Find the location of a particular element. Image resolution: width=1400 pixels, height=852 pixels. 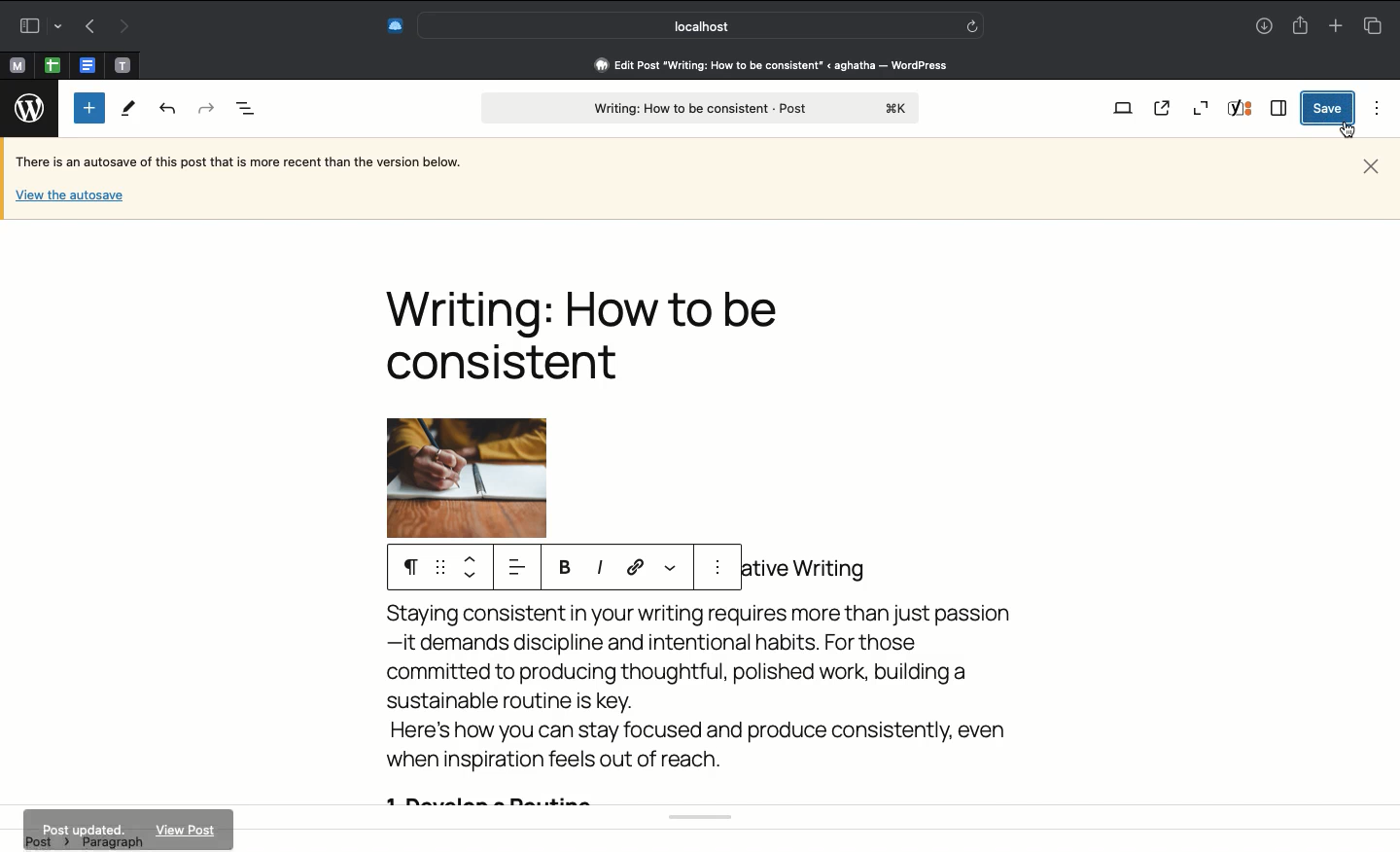

body is located at coordinates (711, 710).